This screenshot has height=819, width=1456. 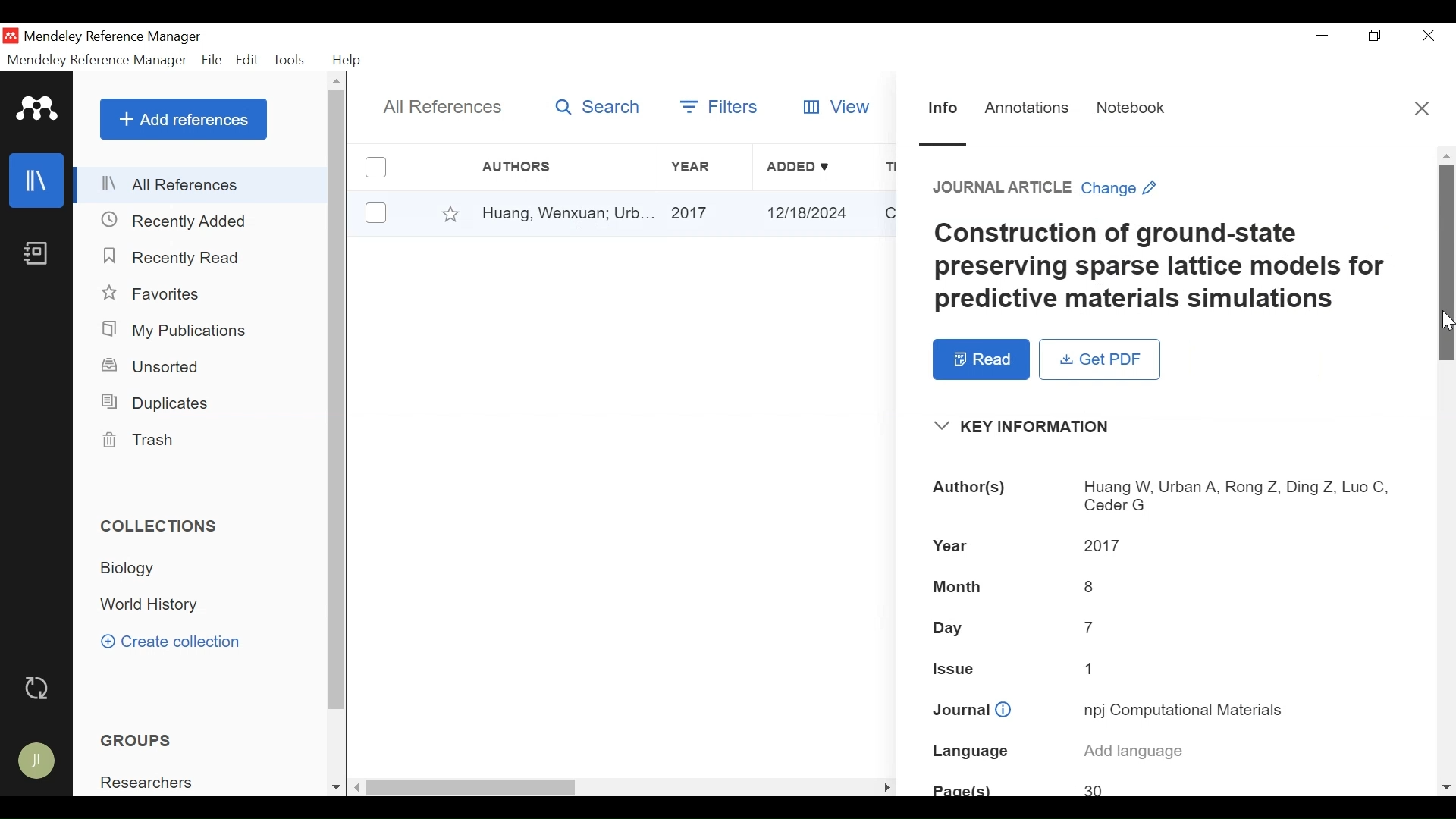 I want to click on Create Collection, so click(x=170, y=641).